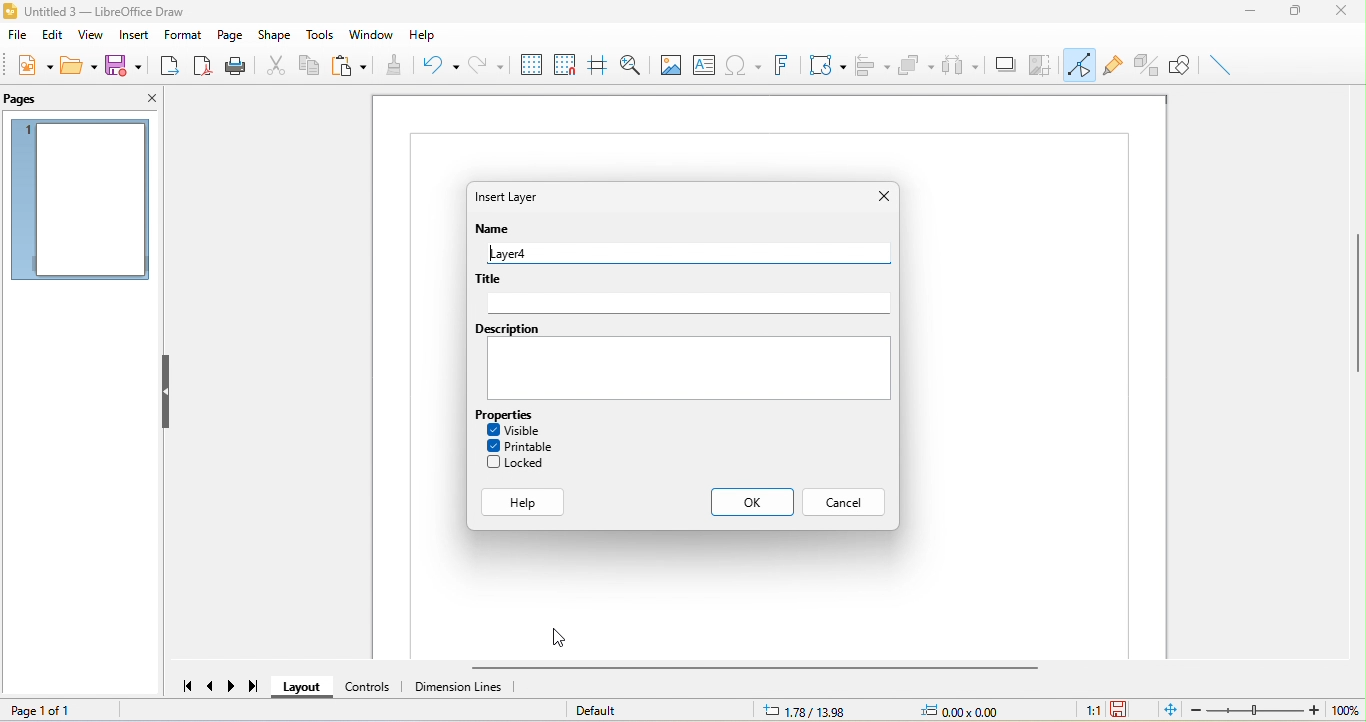 The width and height of the screenshot is (1366, 722). Describe the element at coordinates (622, 710) in the screenshot. I see `default` at that location.